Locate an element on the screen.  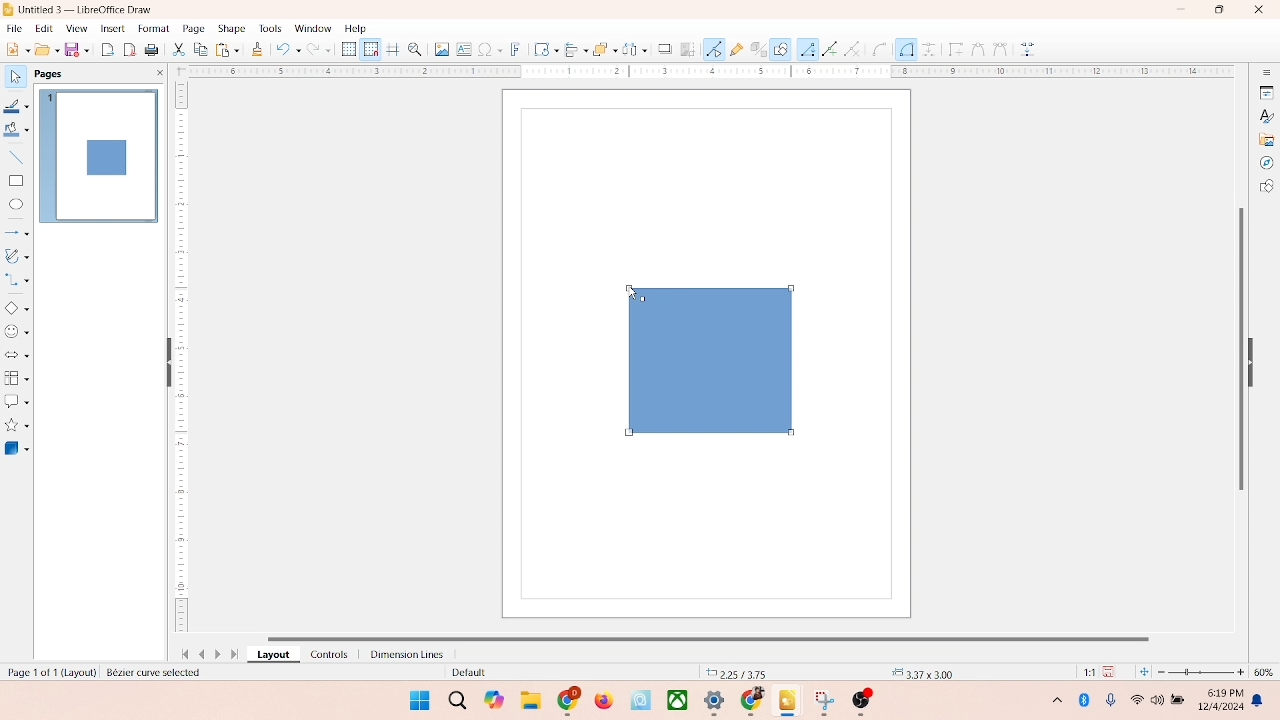
layout is located at coordinates (272, 655).